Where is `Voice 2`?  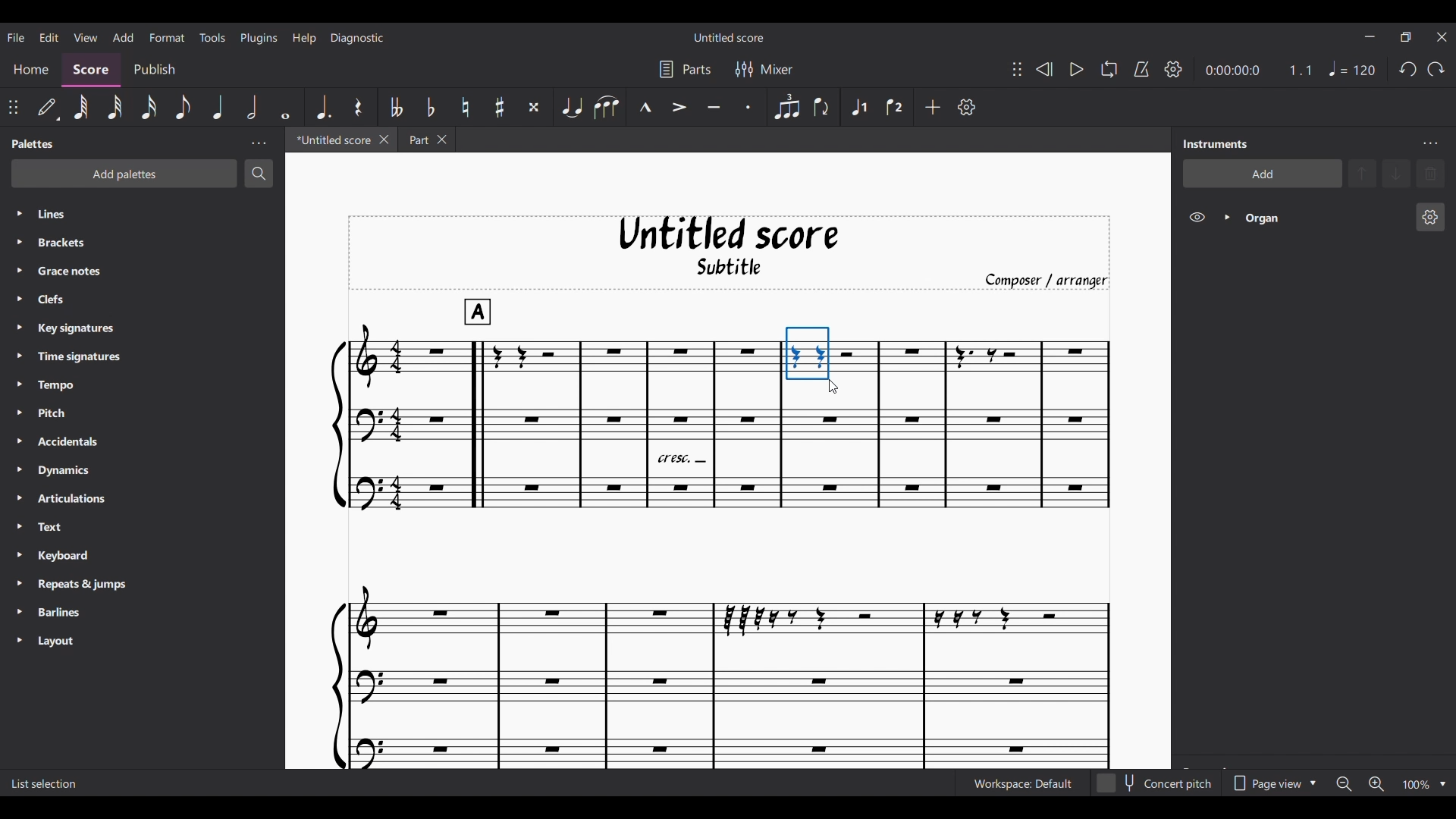 Voice 2 is located at coordinates (895, 107).